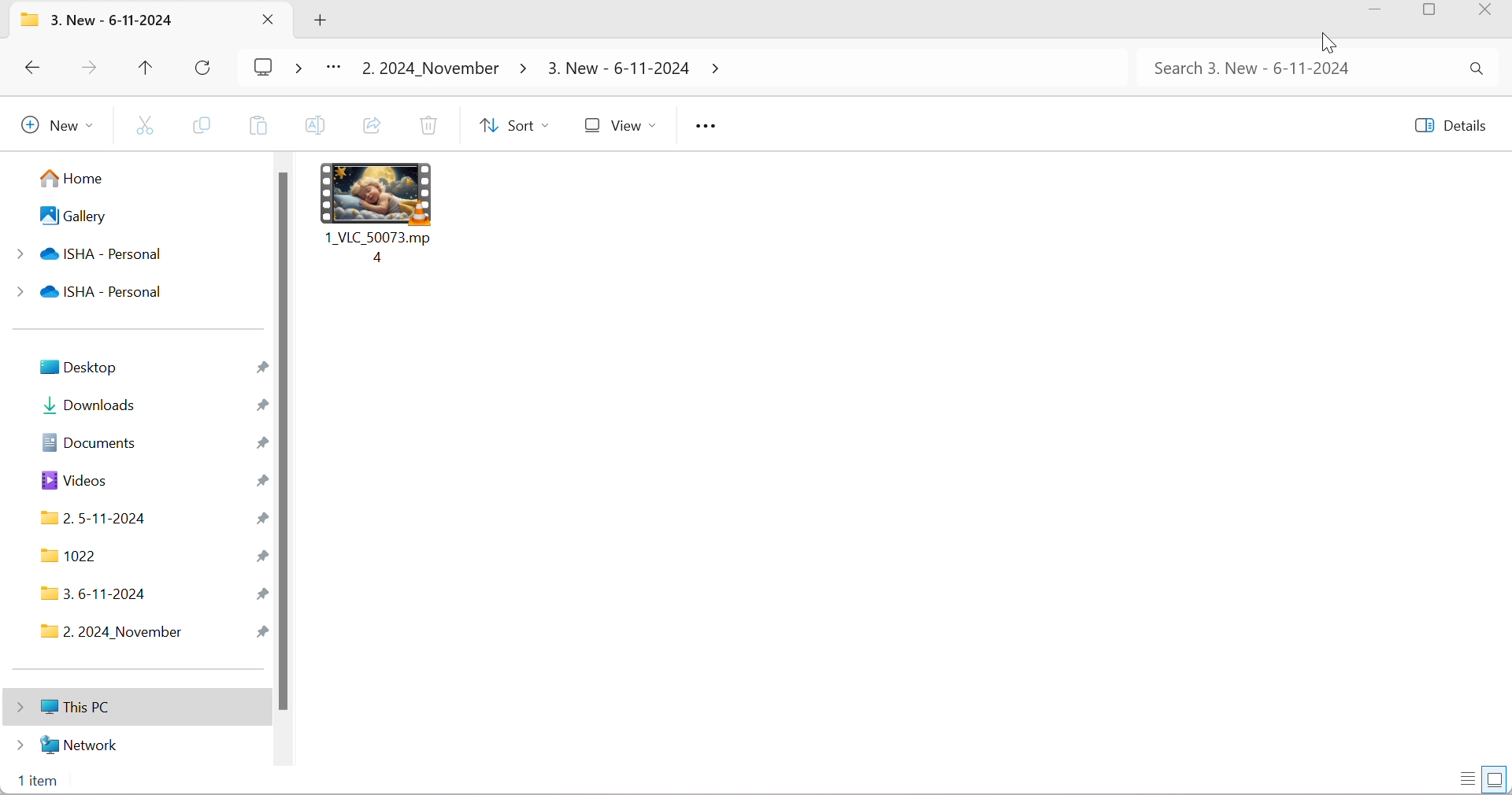 Image resolution: width=1512 pixels, height=795 pixels. What do you see at coordinates (51, 128) in the screenshot?
I see `New` at bounding box center [51, 128].